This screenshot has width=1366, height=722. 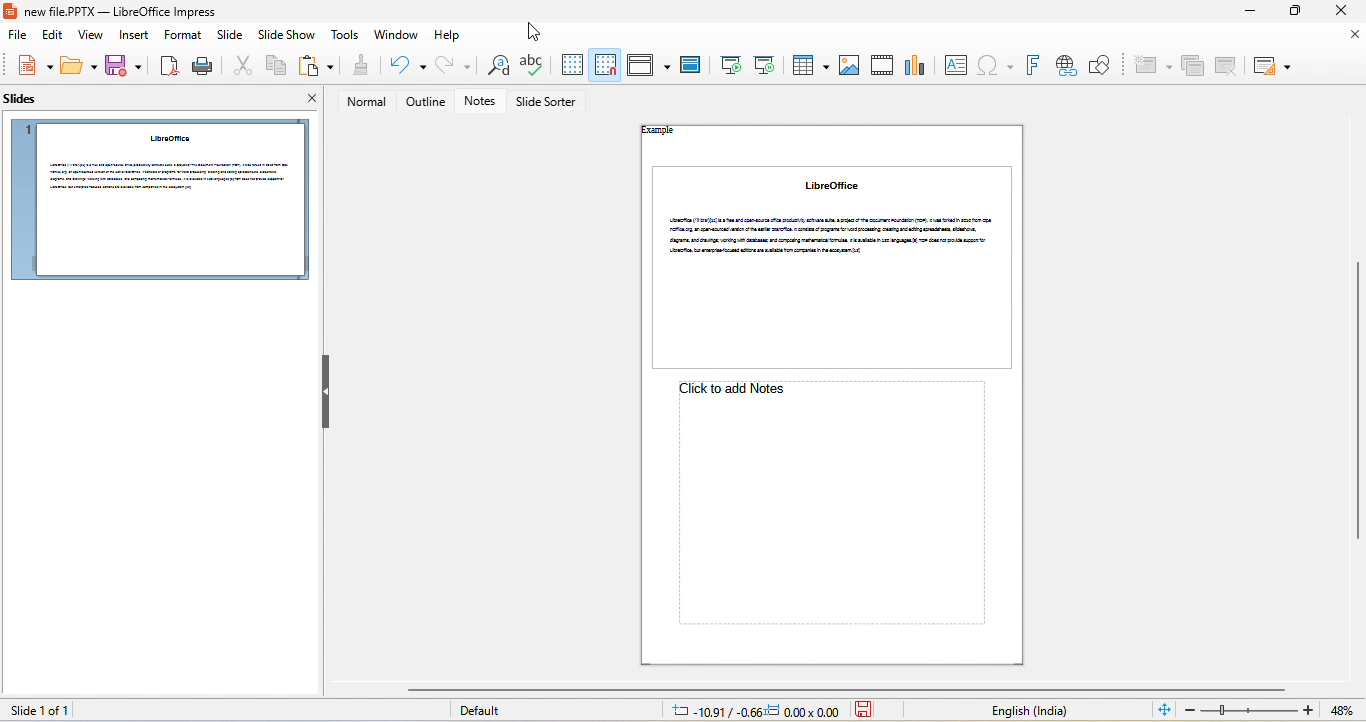 I want to click on current zoom 71%, so click(x=1347, y=711).